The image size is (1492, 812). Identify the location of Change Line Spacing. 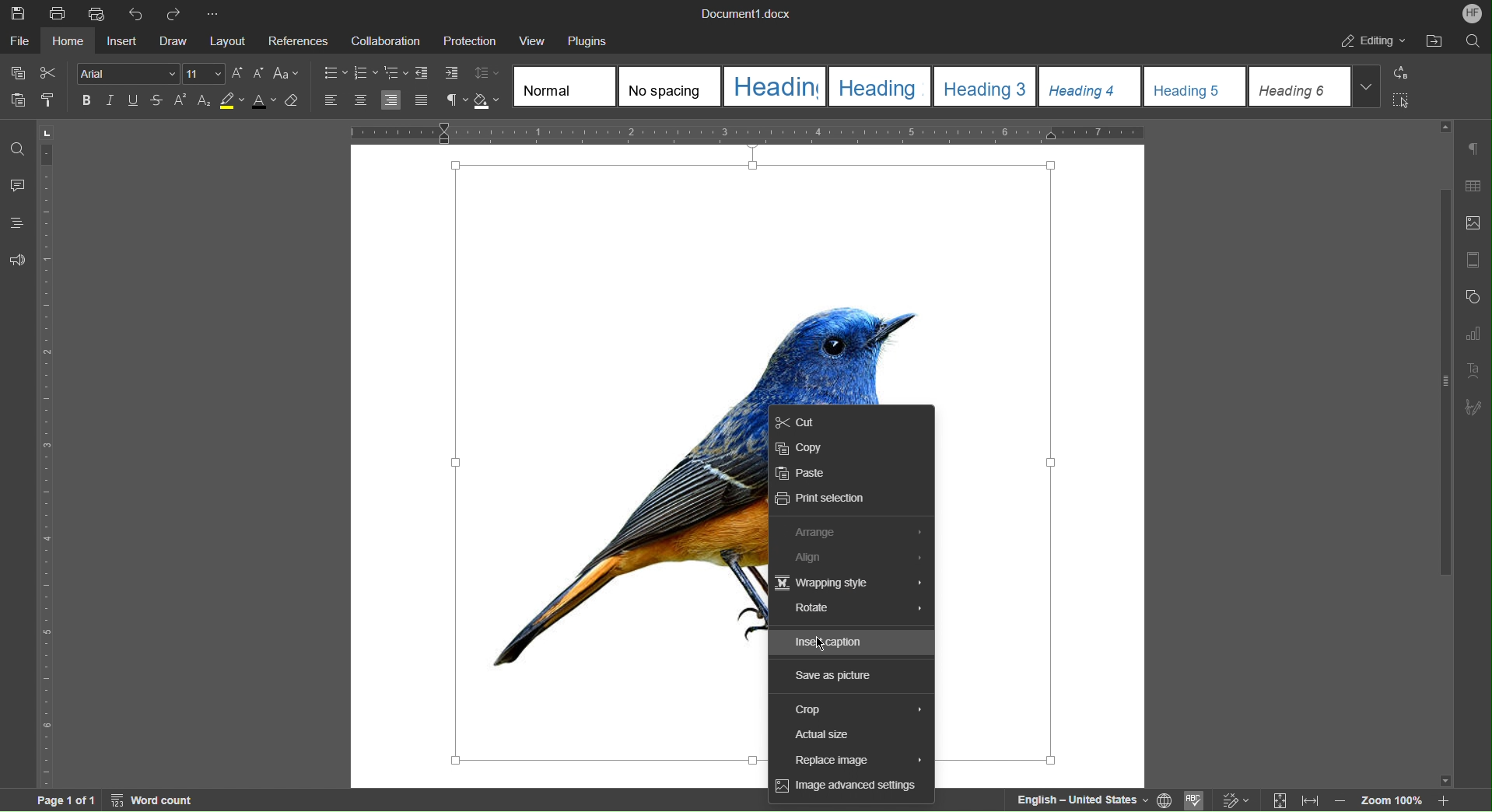
(487, 73).